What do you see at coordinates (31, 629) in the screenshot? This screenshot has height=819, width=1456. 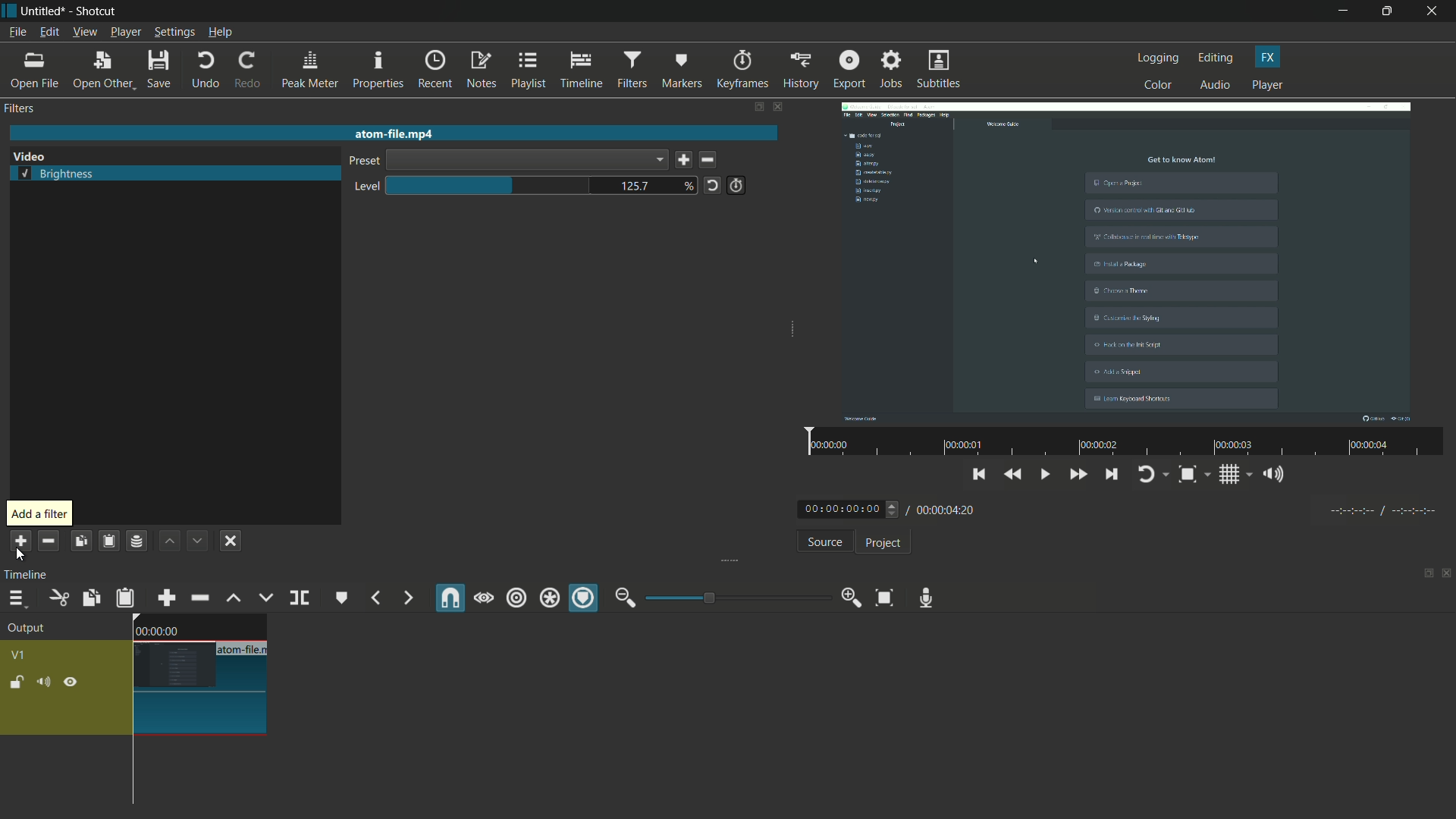 I see `output` at bounding box center [31, 629].